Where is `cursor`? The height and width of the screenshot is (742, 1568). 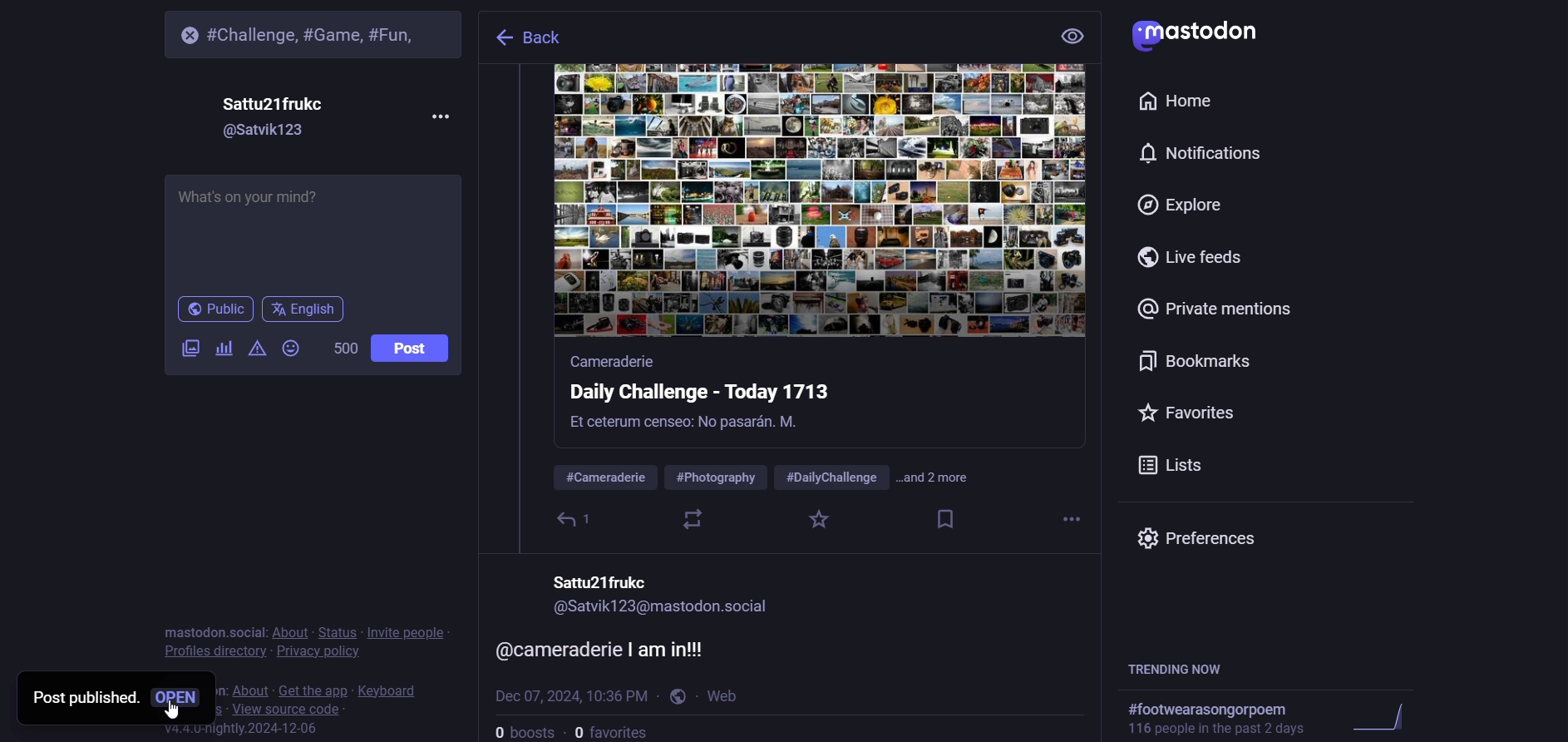
cursor is located at coordinates (176, 714).